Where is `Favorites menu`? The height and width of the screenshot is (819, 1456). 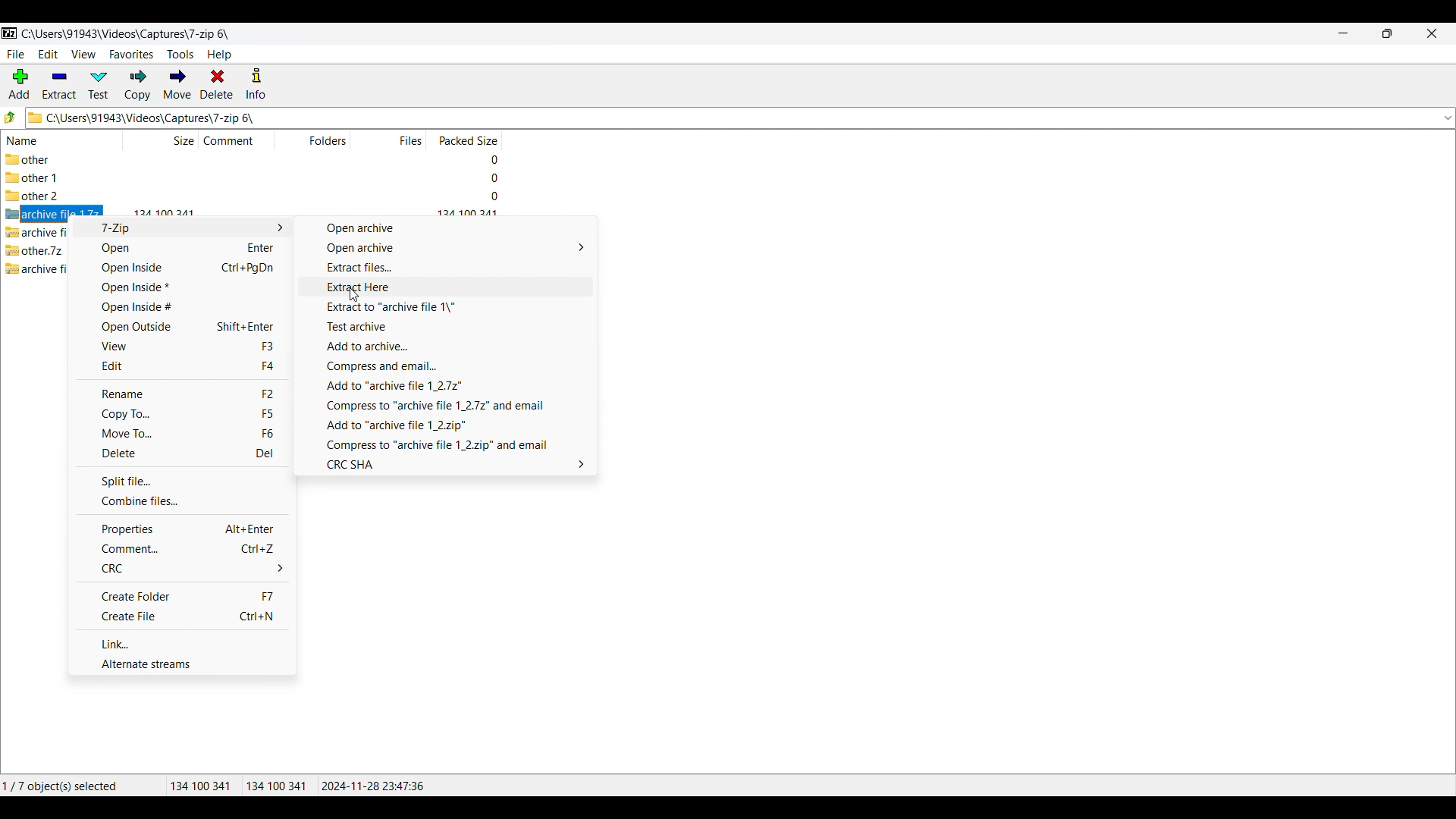
Favorites menu is located at coordinates (131, 55).